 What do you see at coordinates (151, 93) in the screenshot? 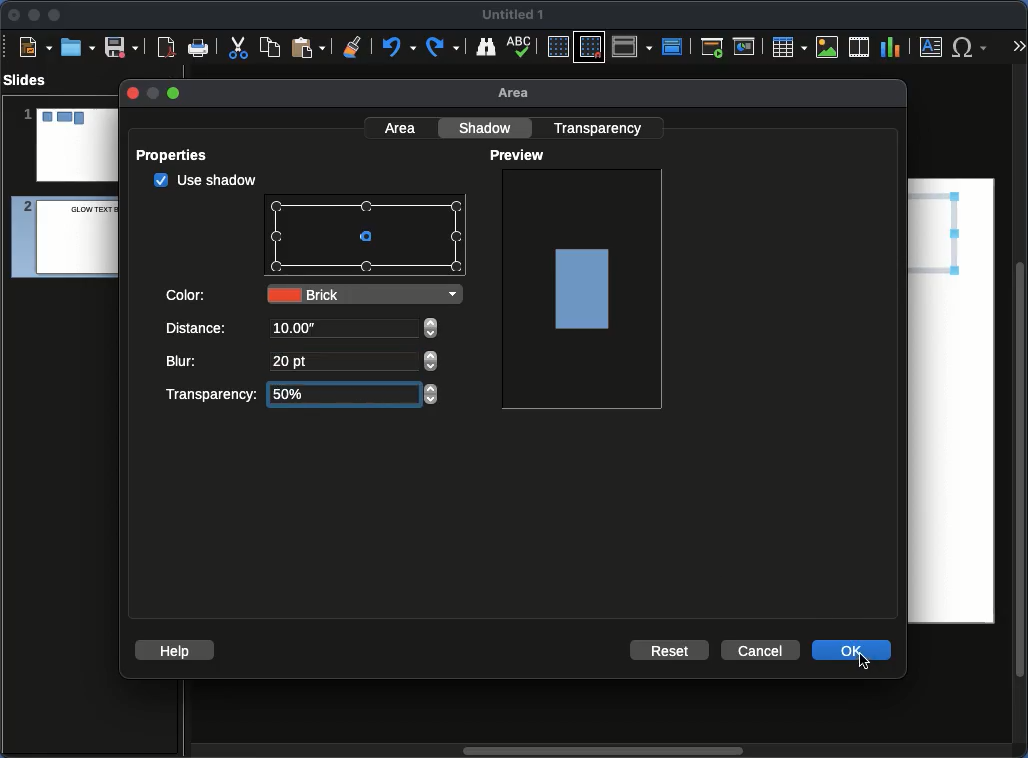
I see `minimize` at bounding box center [151, 93].